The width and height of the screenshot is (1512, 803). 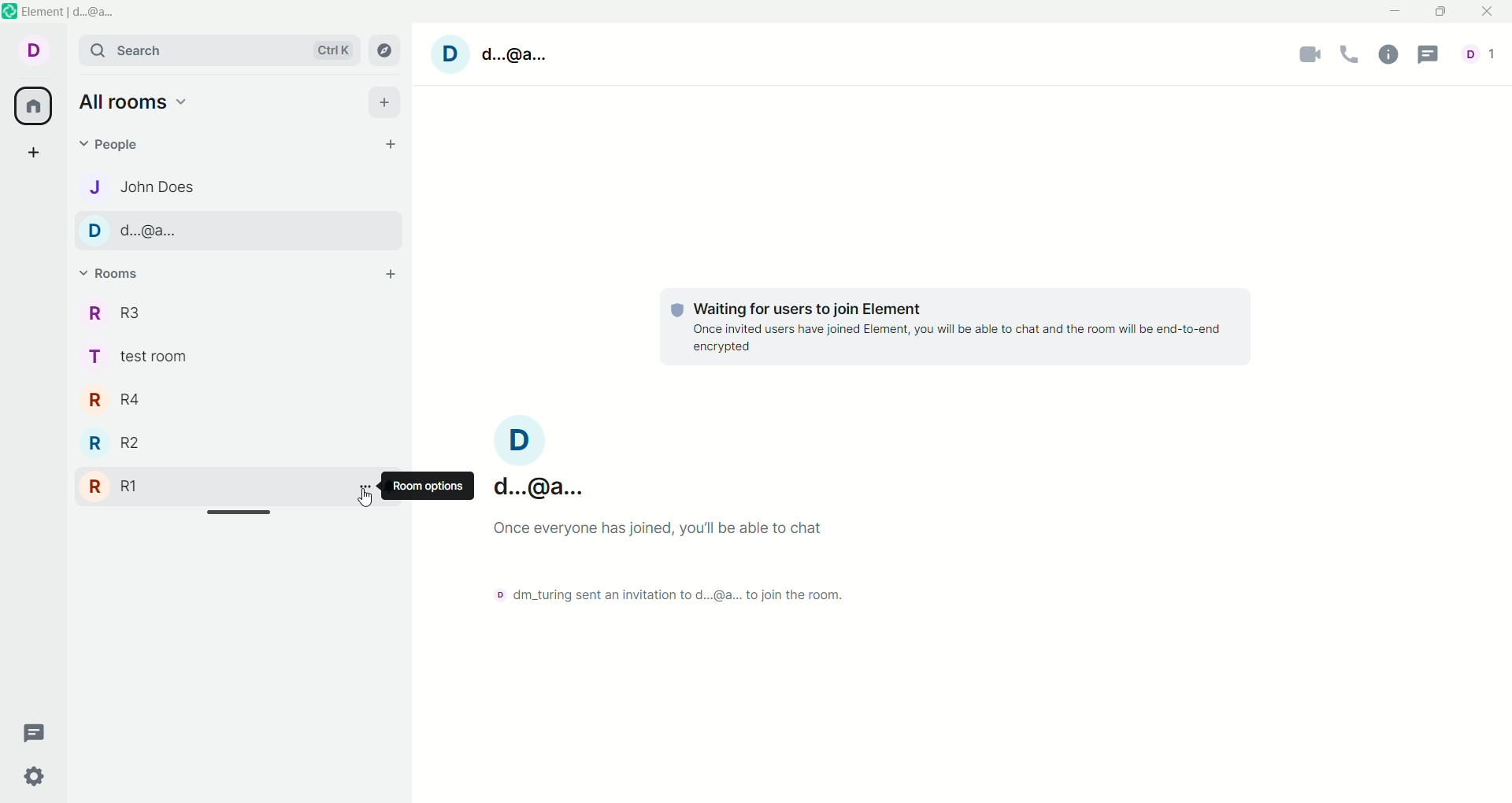 What do you see at coordinates (131, 489) in the screenshot?
I see `r r1` at bounding box center [131, 489].